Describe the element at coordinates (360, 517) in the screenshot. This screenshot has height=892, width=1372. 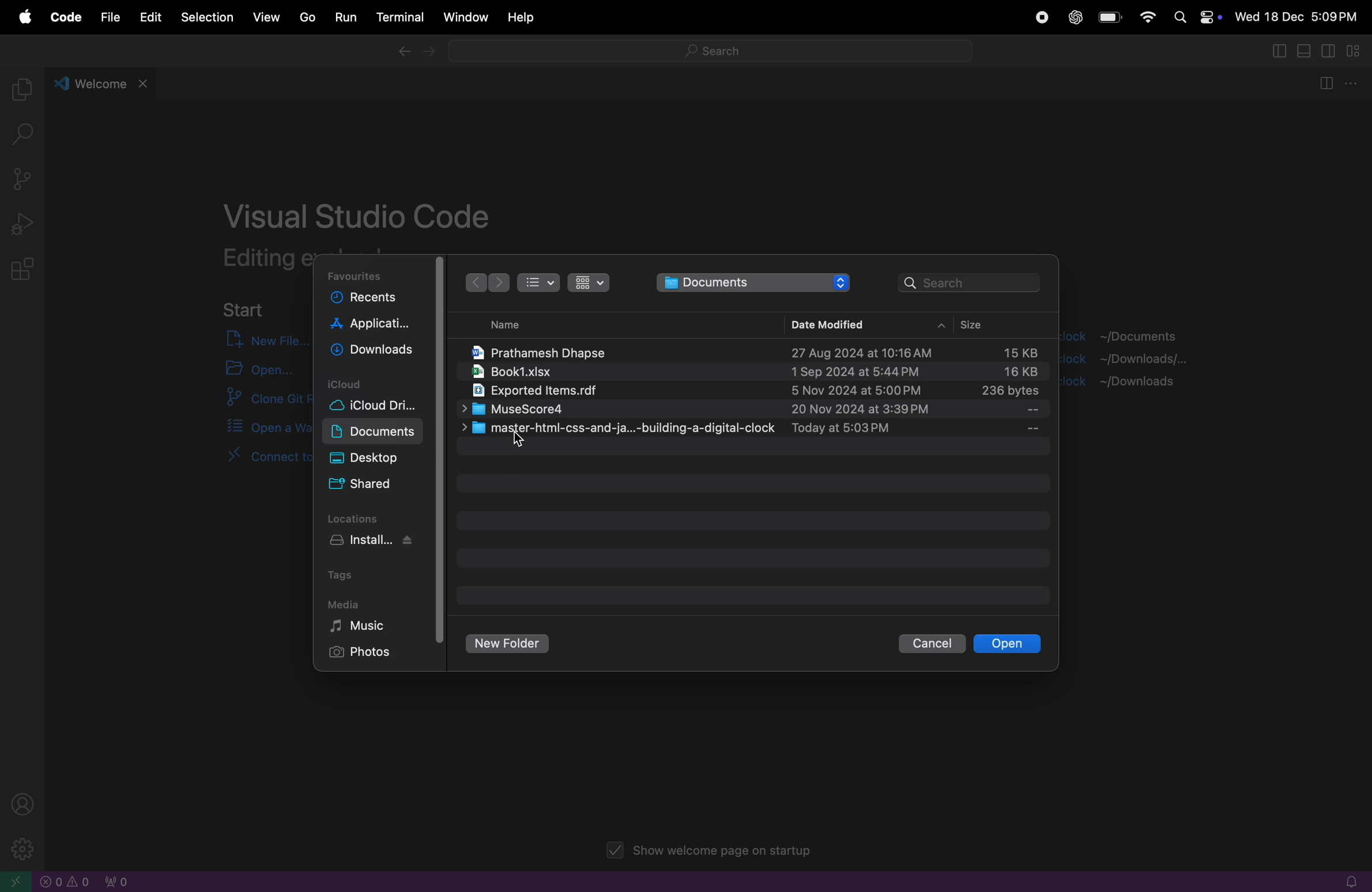
I see `locations` at that location.